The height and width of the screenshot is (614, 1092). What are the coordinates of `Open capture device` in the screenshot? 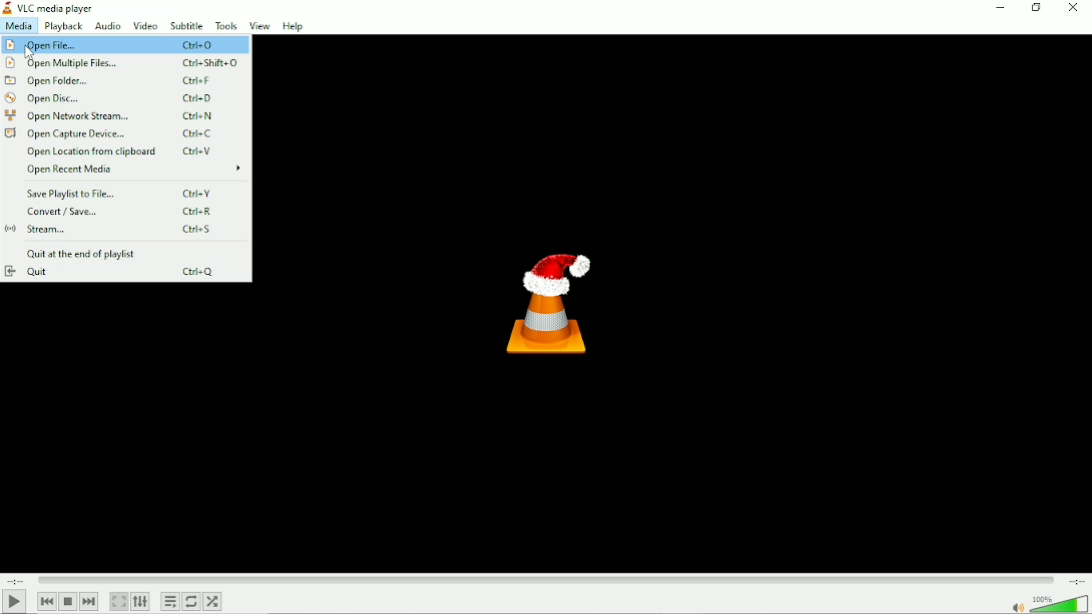 It's located at (117, 132).